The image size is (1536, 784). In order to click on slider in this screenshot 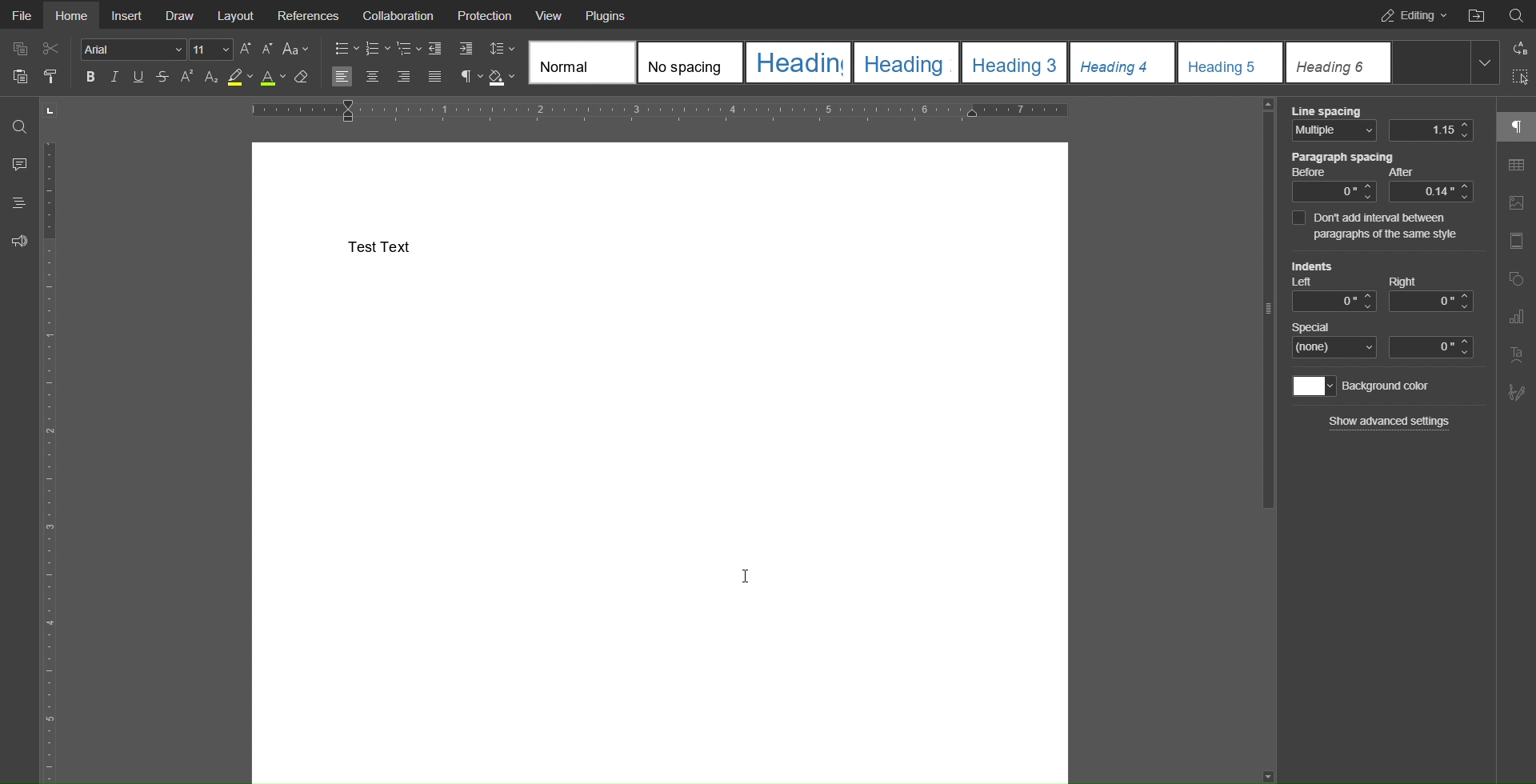, I will do `click(1263, 315)`.